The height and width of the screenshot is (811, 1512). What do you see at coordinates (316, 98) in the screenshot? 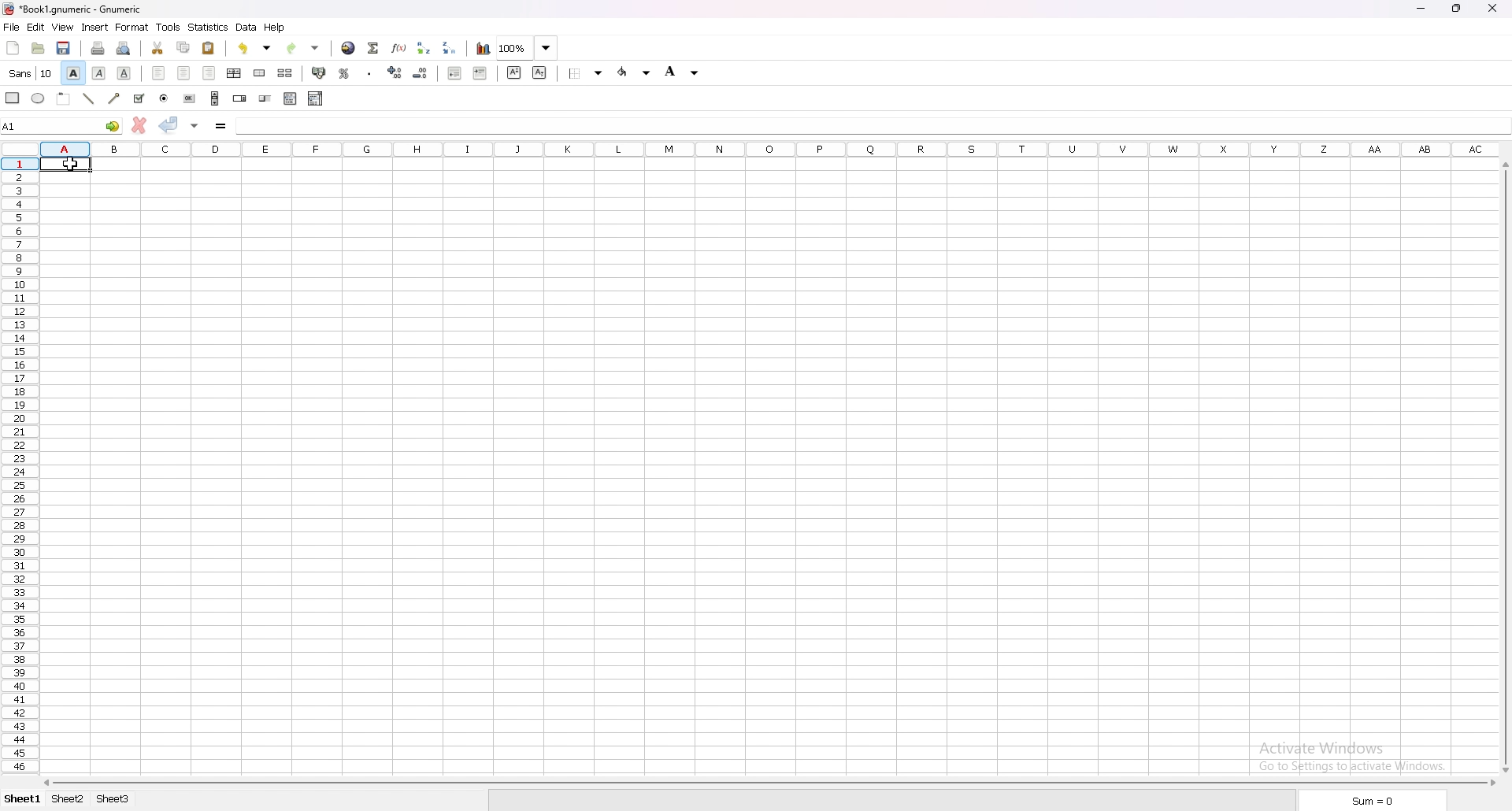
I see `combo box` at bounding box center [316, 98].